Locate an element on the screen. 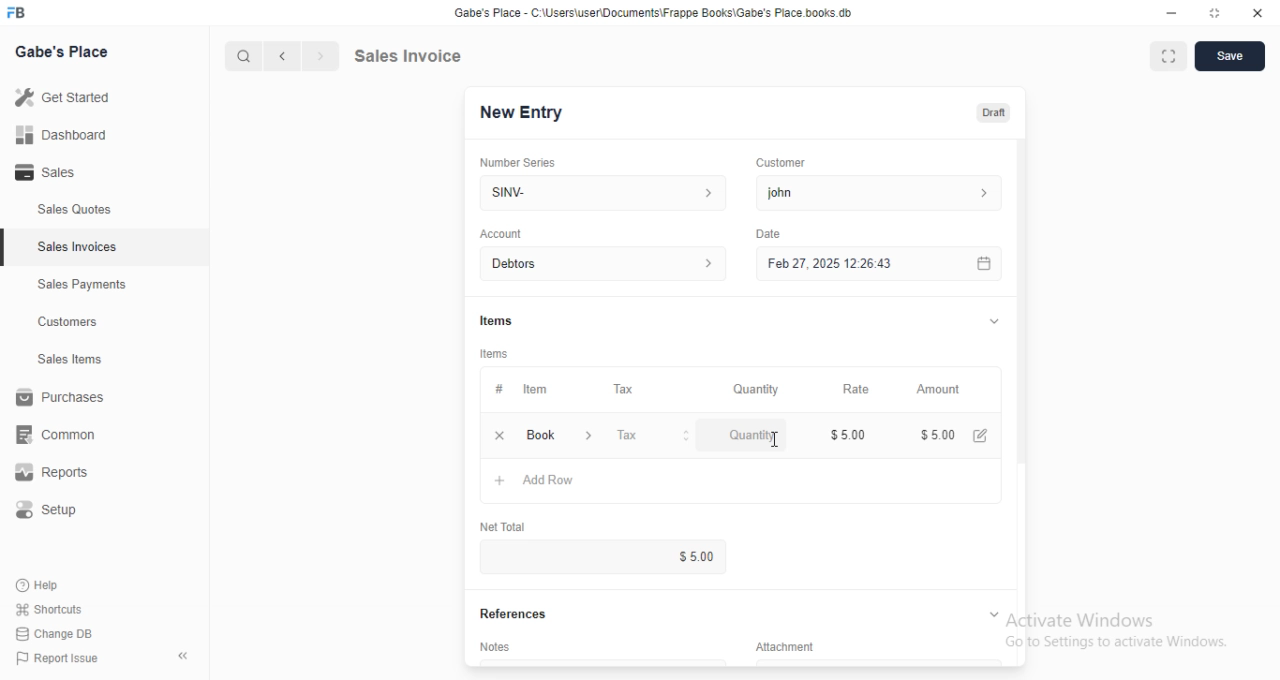  Attachment is located at coordinates (777, 645).